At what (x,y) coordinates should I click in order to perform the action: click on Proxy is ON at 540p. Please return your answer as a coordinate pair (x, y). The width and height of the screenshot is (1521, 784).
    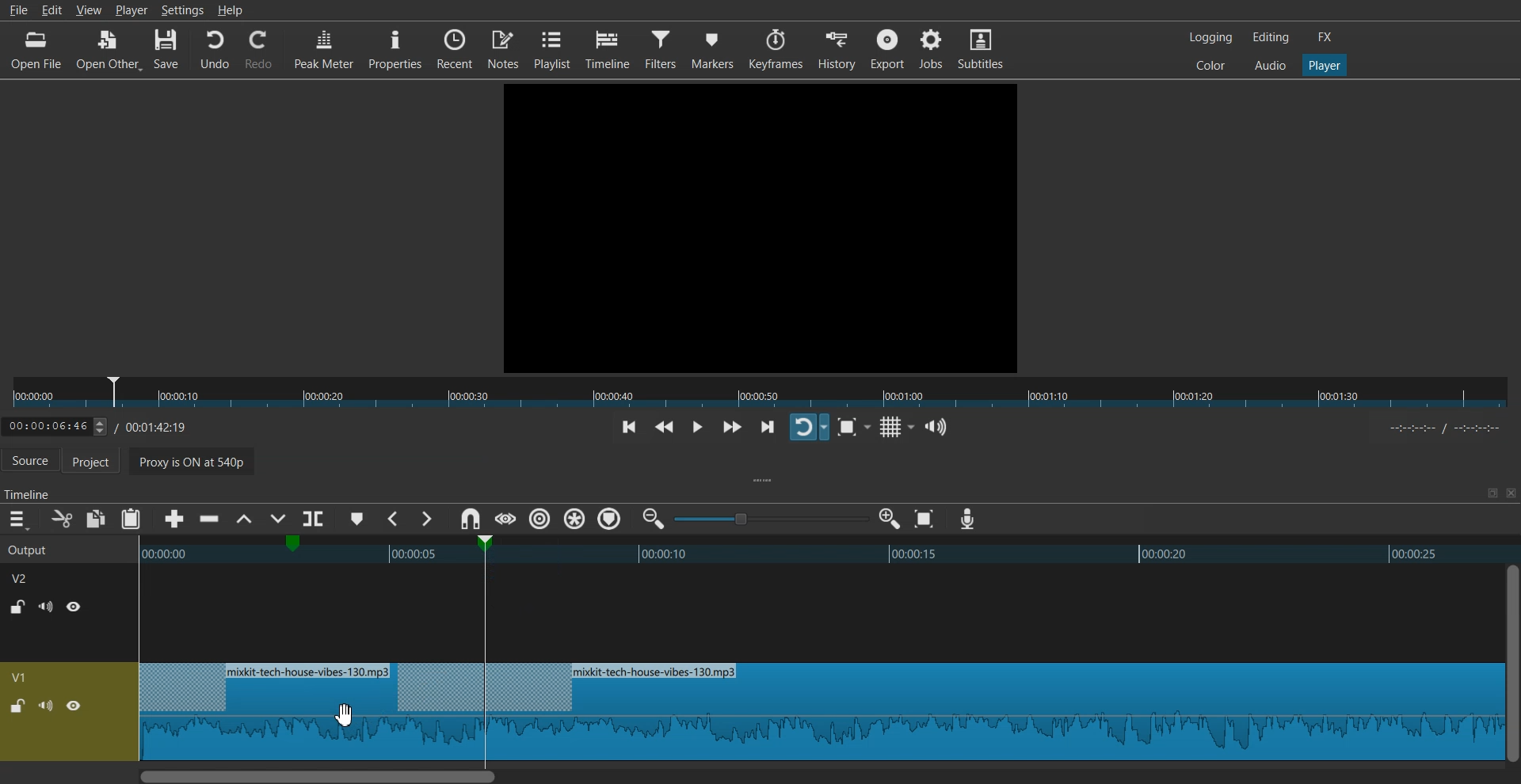
    Looking at the image, I should click on (307, 463).